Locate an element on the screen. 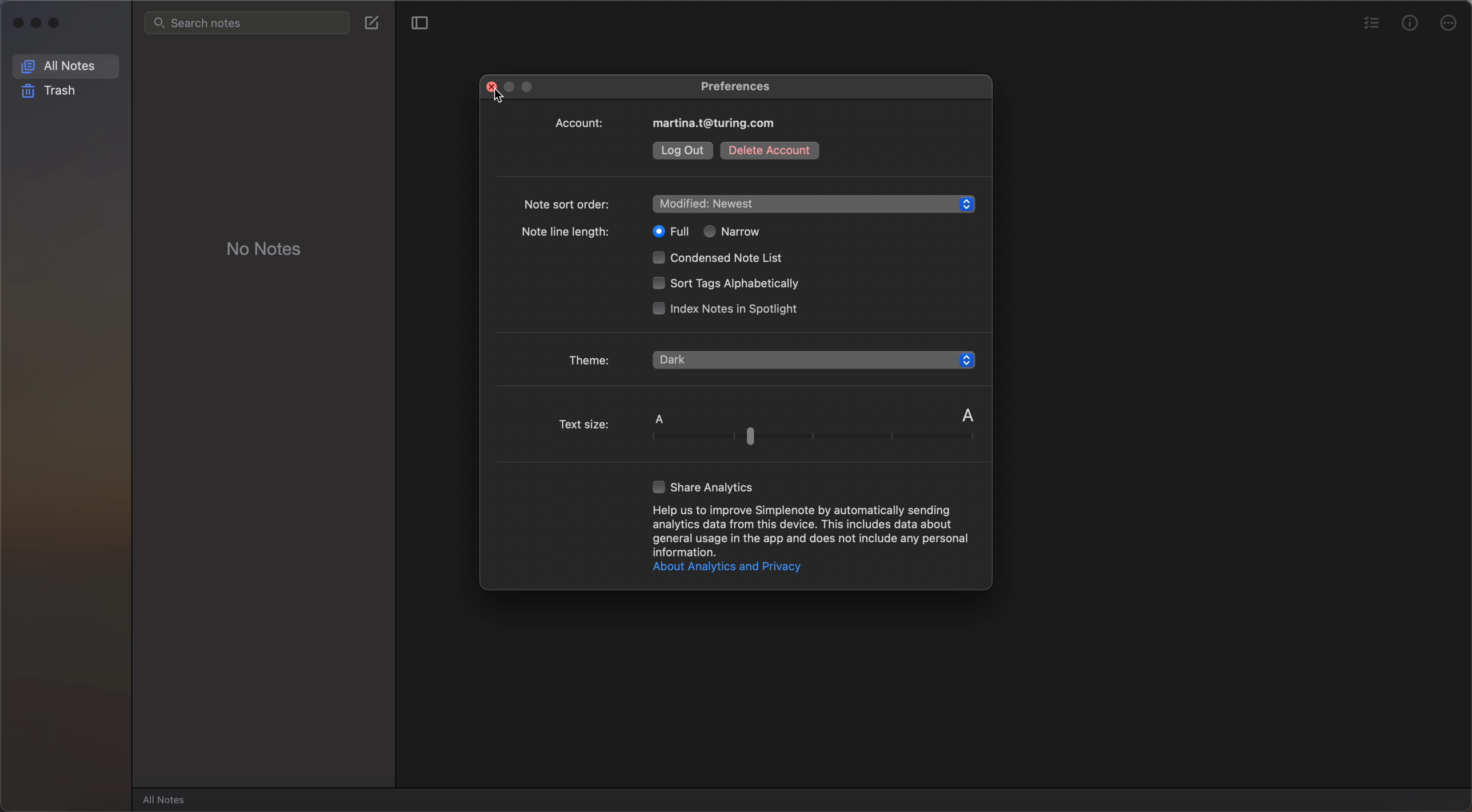 This screenshot has width=1472, height=812. Cursor is located at coordinates (500, 99).